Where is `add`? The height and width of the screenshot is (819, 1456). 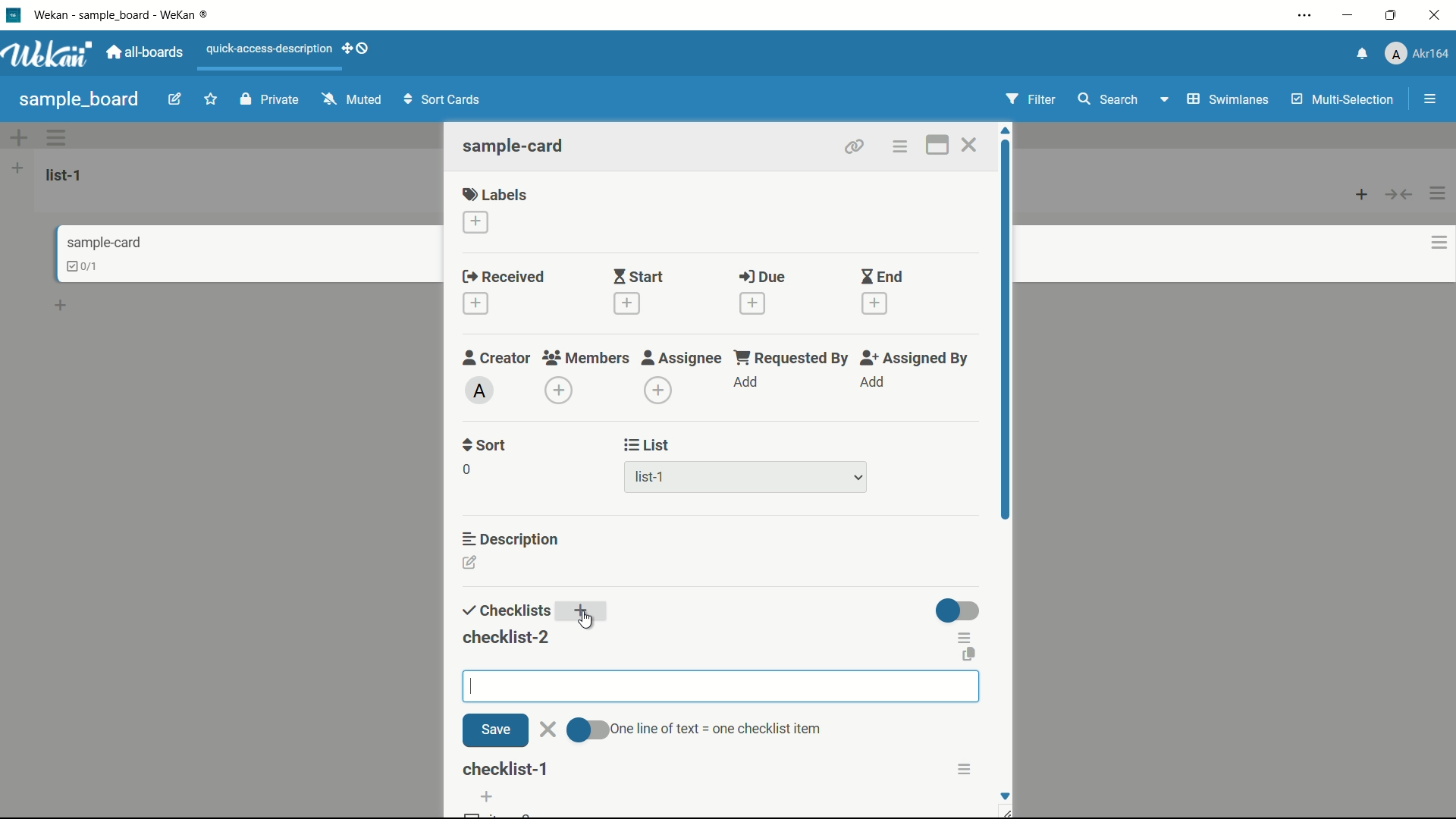
add is located at coordinates (747, 383).